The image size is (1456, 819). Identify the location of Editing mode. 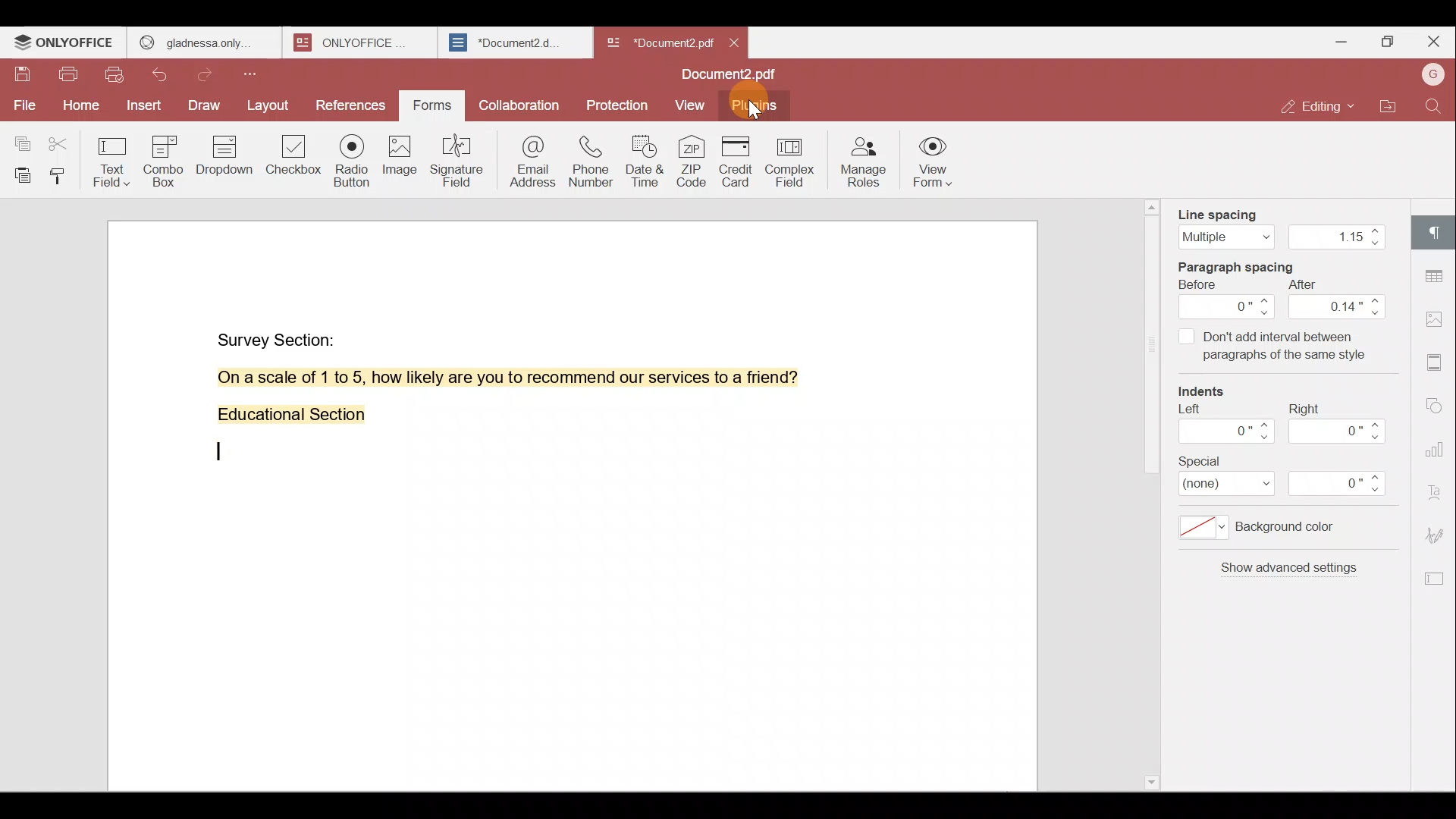
(1320, 106).